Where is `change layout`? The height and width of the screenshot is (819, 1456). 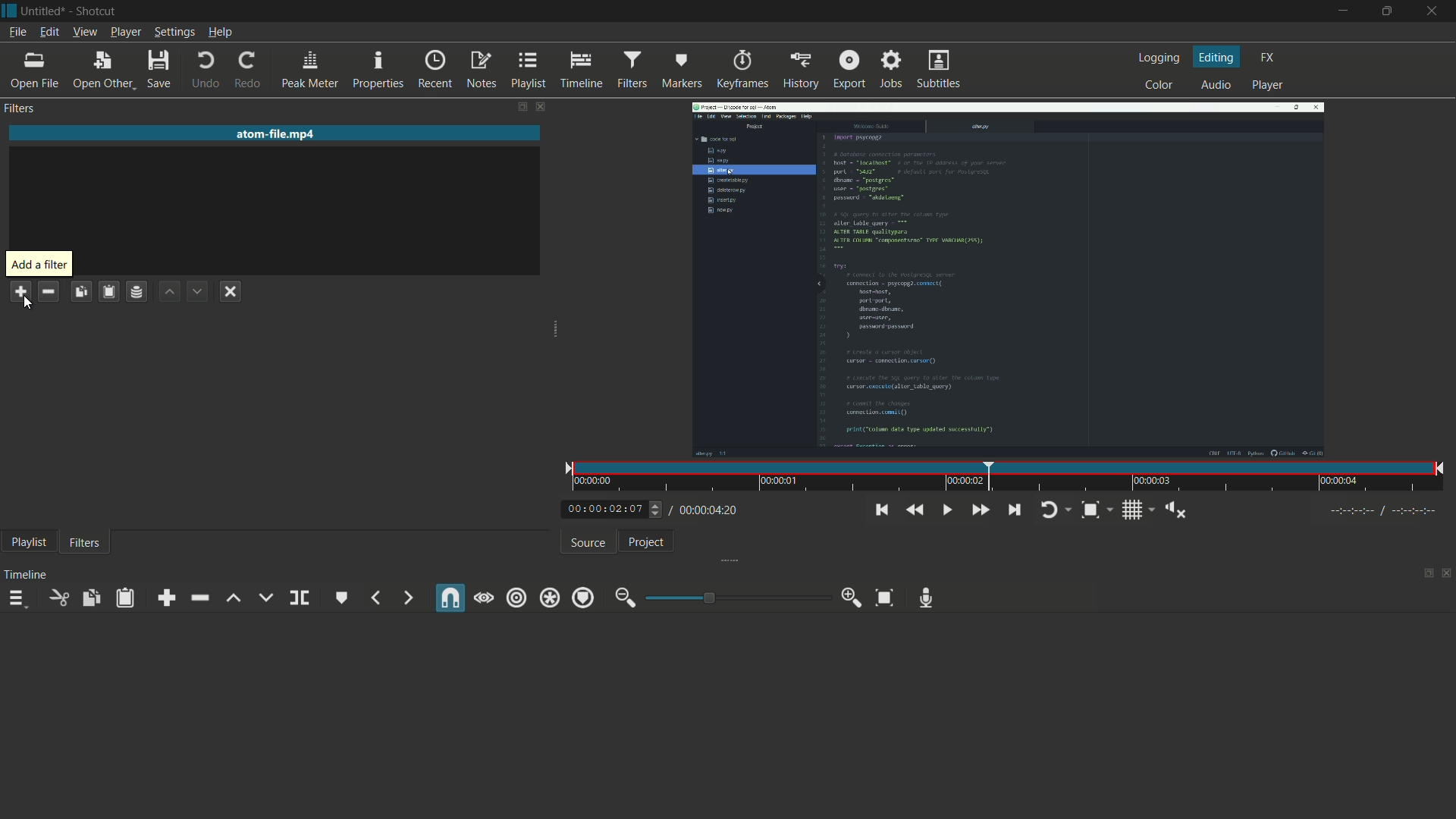
change layout is located at coordinates (1423, 574).